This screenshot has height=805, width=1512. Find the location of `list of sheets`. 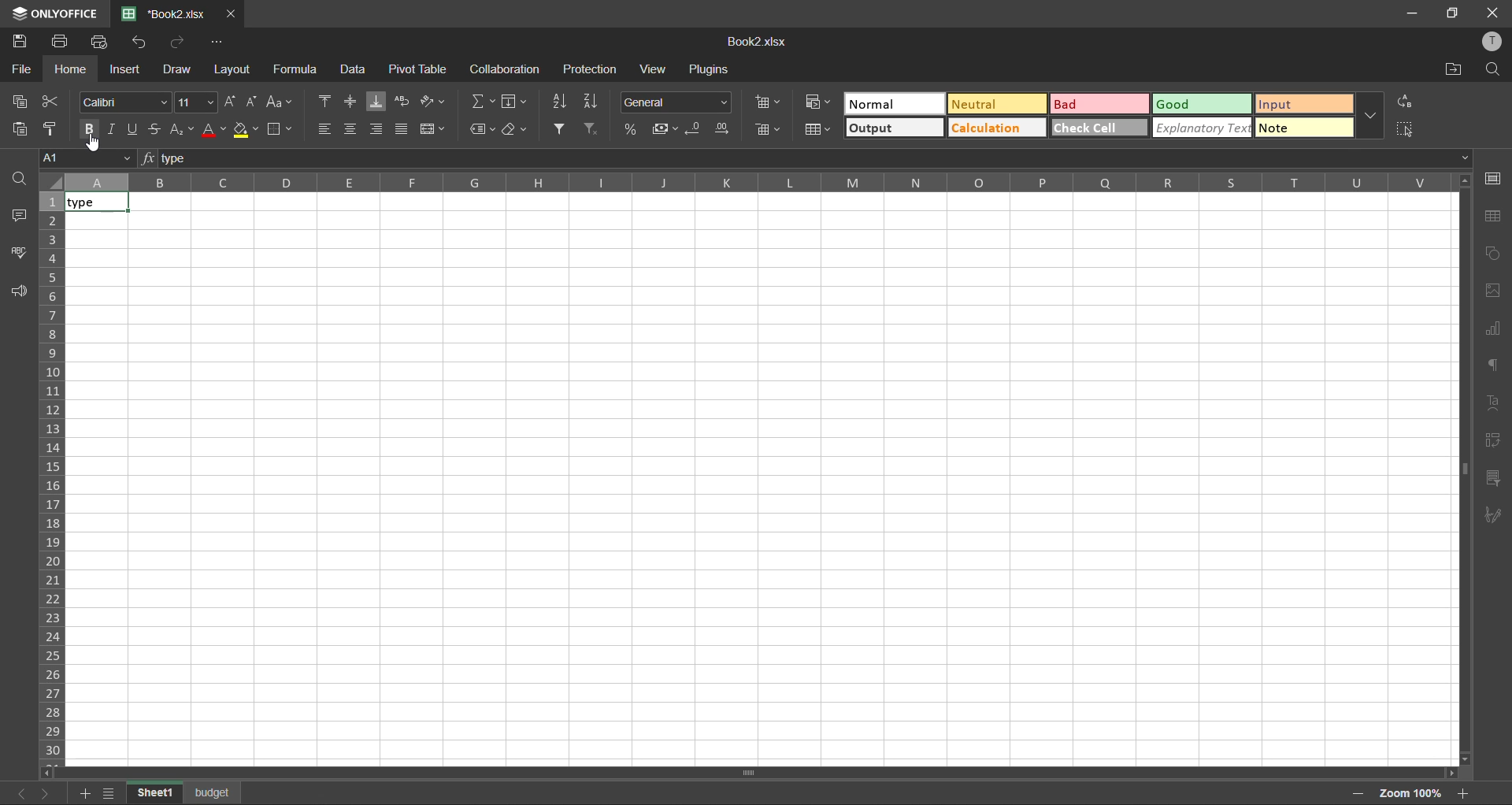

list of sheets is located at coordinates (112, 793).